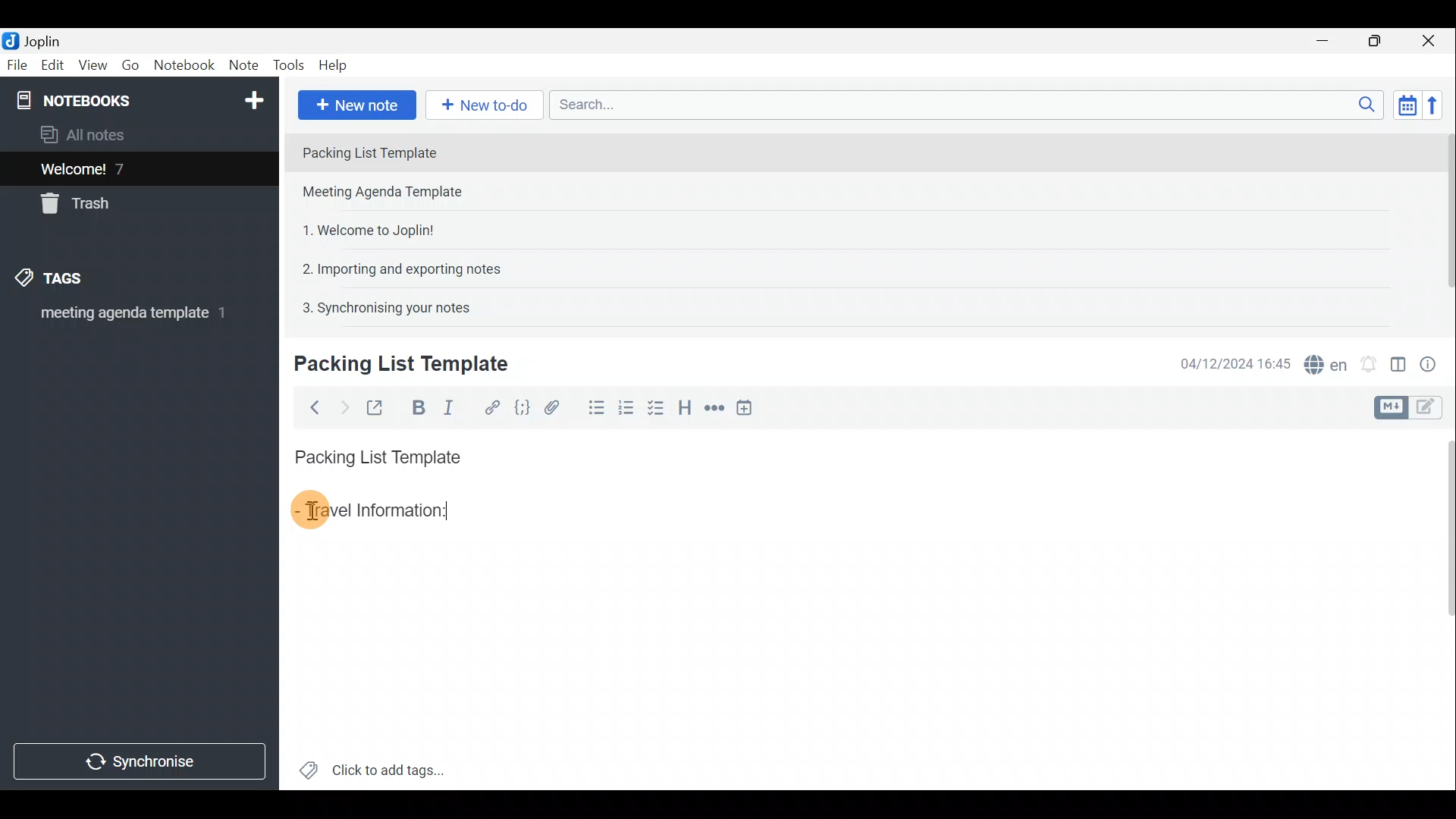 The width and height of the screenshot is (1456, 819). I want to click on Note 3, so click(362, 228).